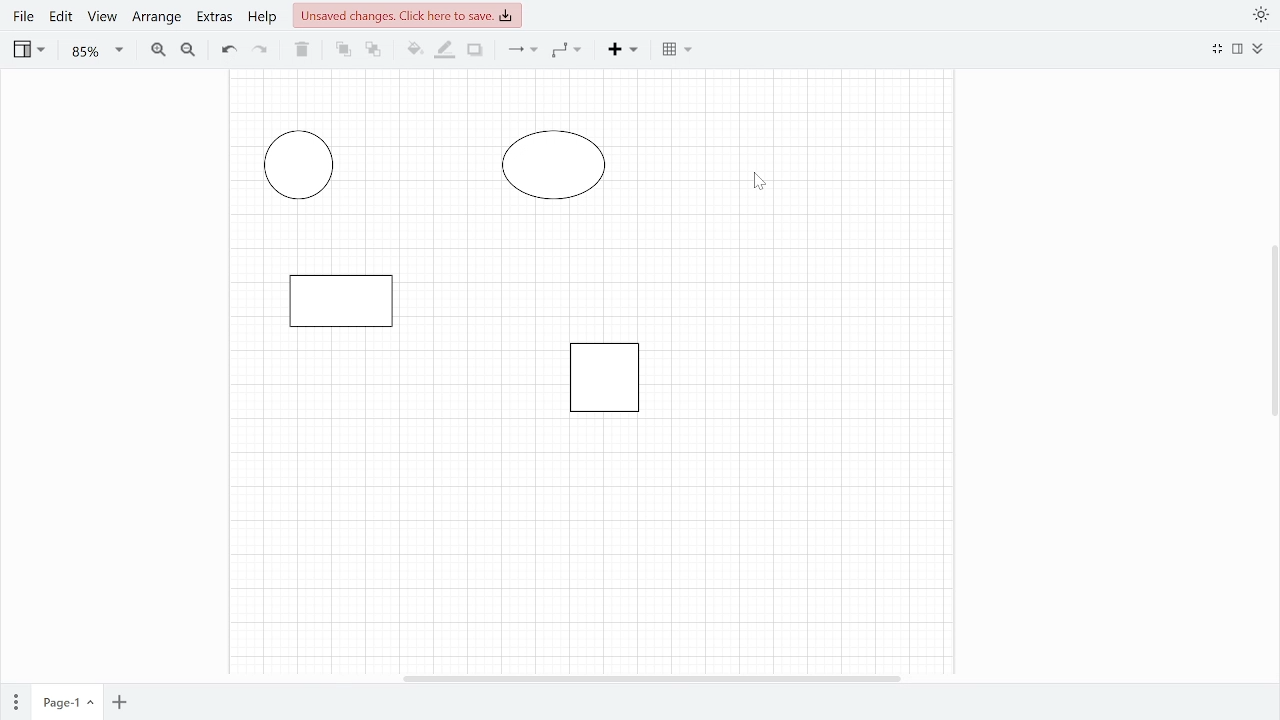 This screenshot has height=720, width=1280. I want to click on Help, so click(262, 21).